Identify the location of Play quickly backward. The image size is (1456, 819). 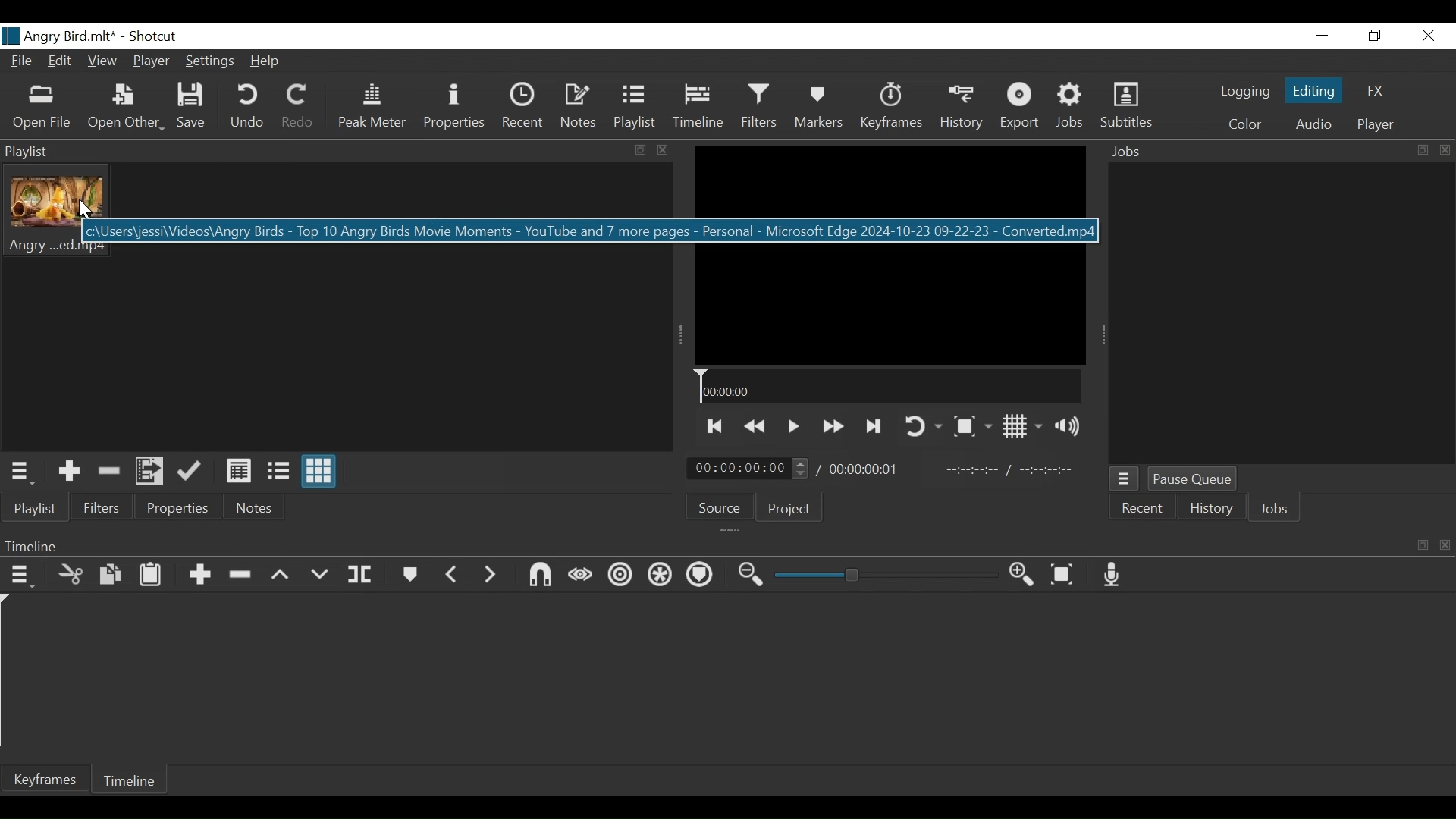
(754, 427).